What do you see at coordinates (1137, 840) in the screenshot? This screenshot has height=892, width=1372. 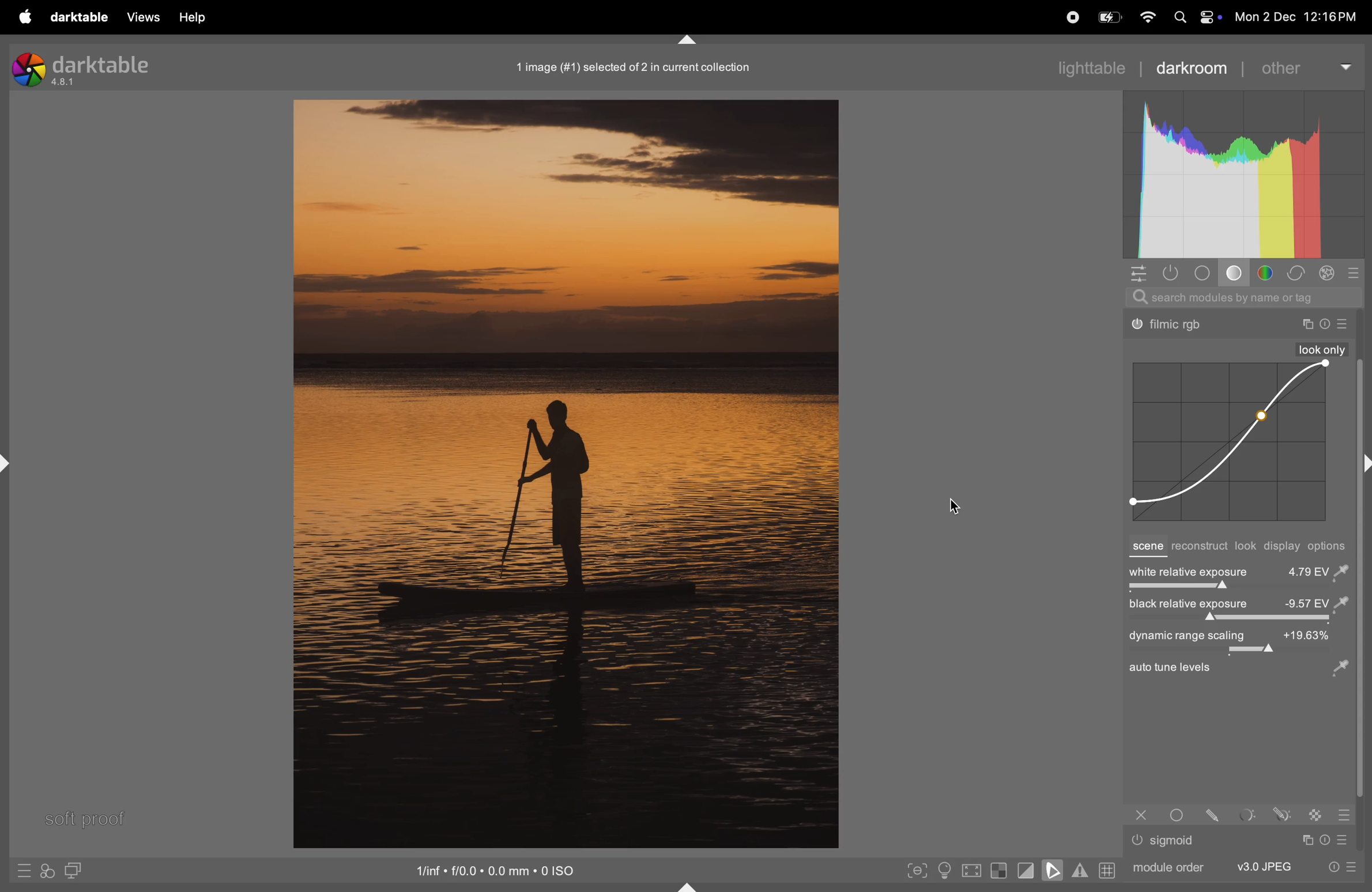 I see `` at bounding box center [1137, 840].